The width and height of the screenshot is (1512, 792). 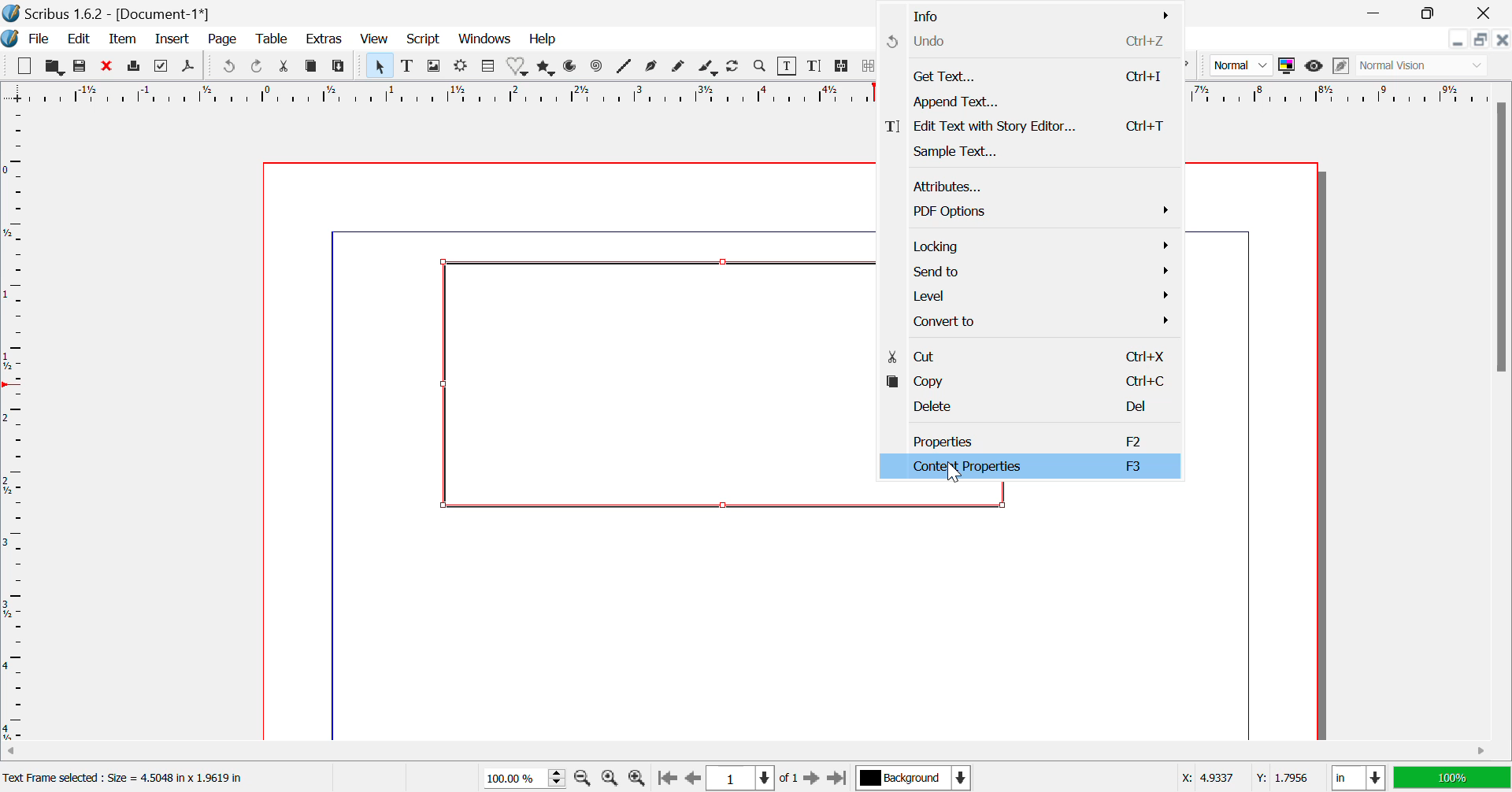 I want to click on Edit Text with Story Editor, so click(x=816, y=68).